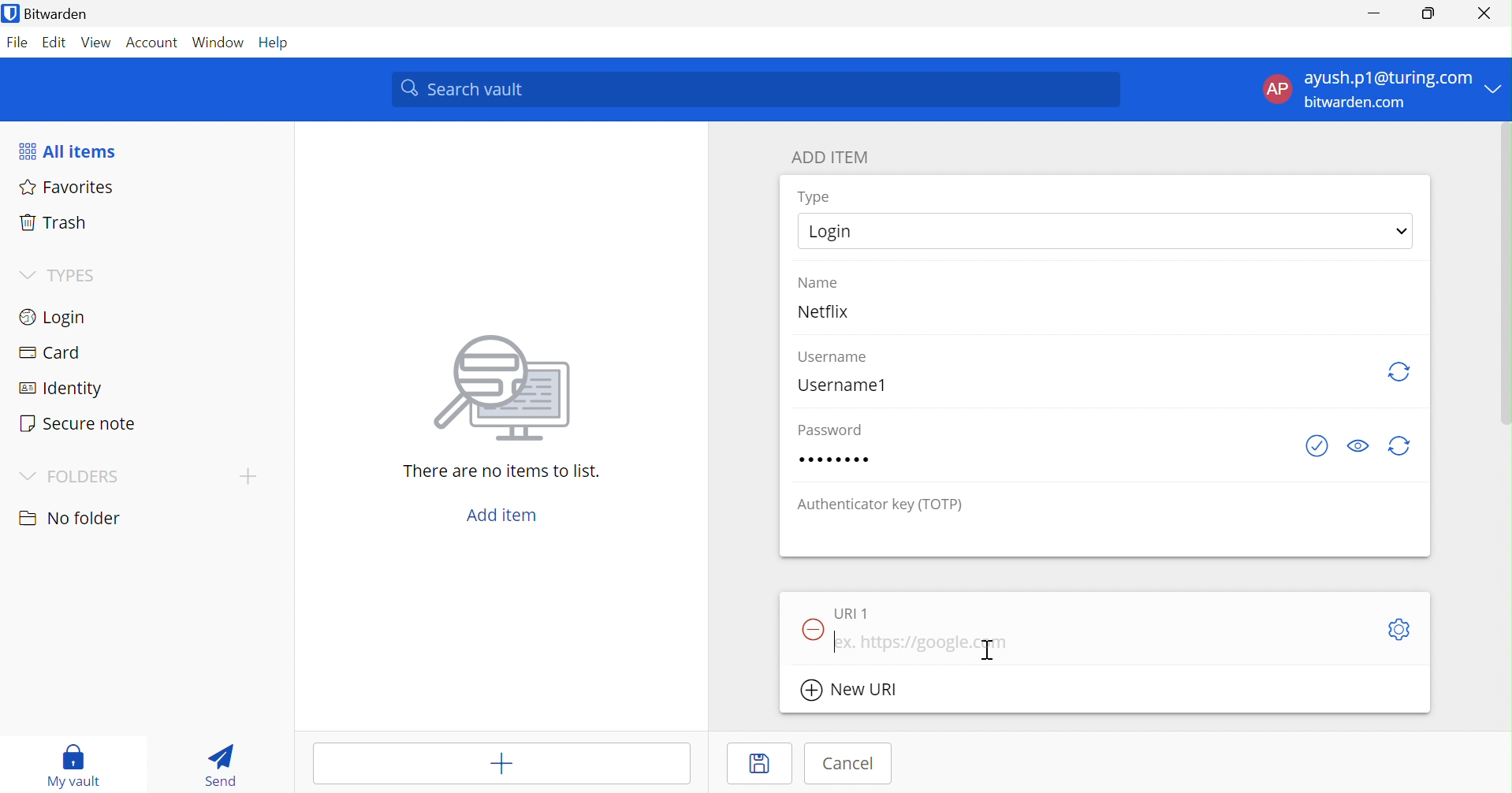  Describe the element at coordinates (829, 157) in the screenshot. I see `ADD ITEM` at that location.